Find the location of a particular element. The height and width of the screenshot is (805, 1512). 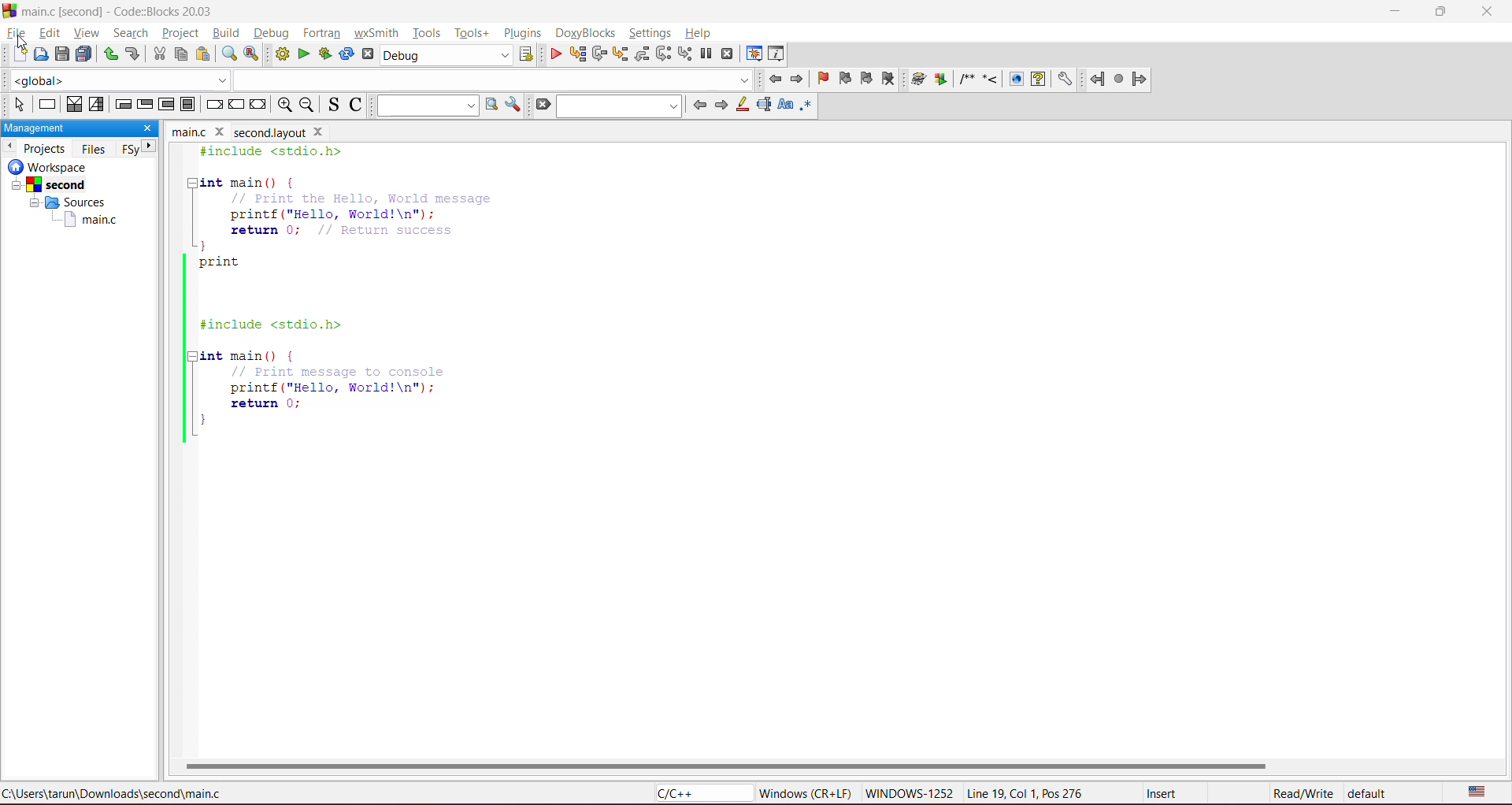

counting loop is located at coordinates (166, 106).